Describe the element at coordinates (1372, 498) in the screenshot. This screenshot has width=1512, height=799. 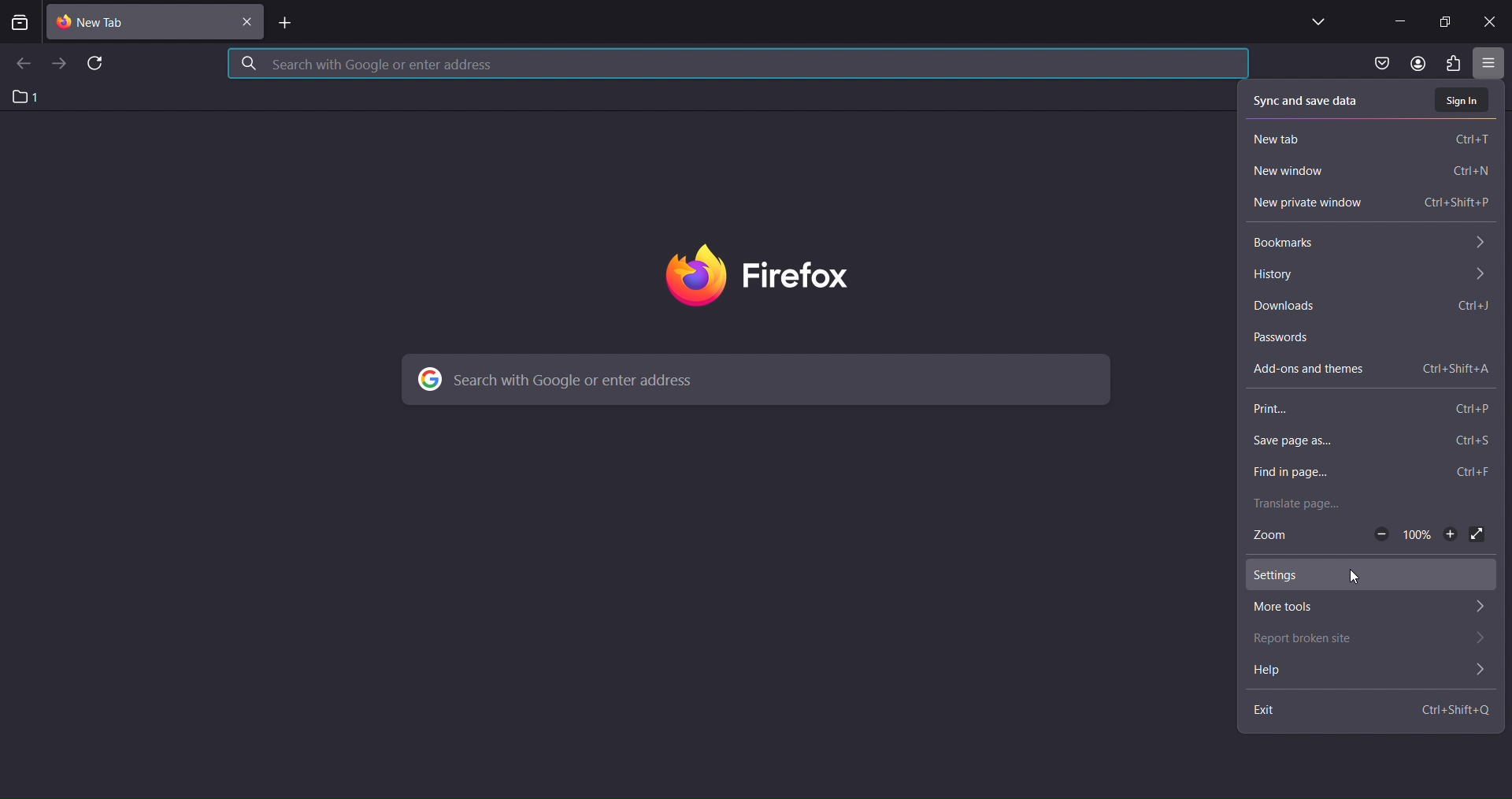
I see `translate page` at that location.